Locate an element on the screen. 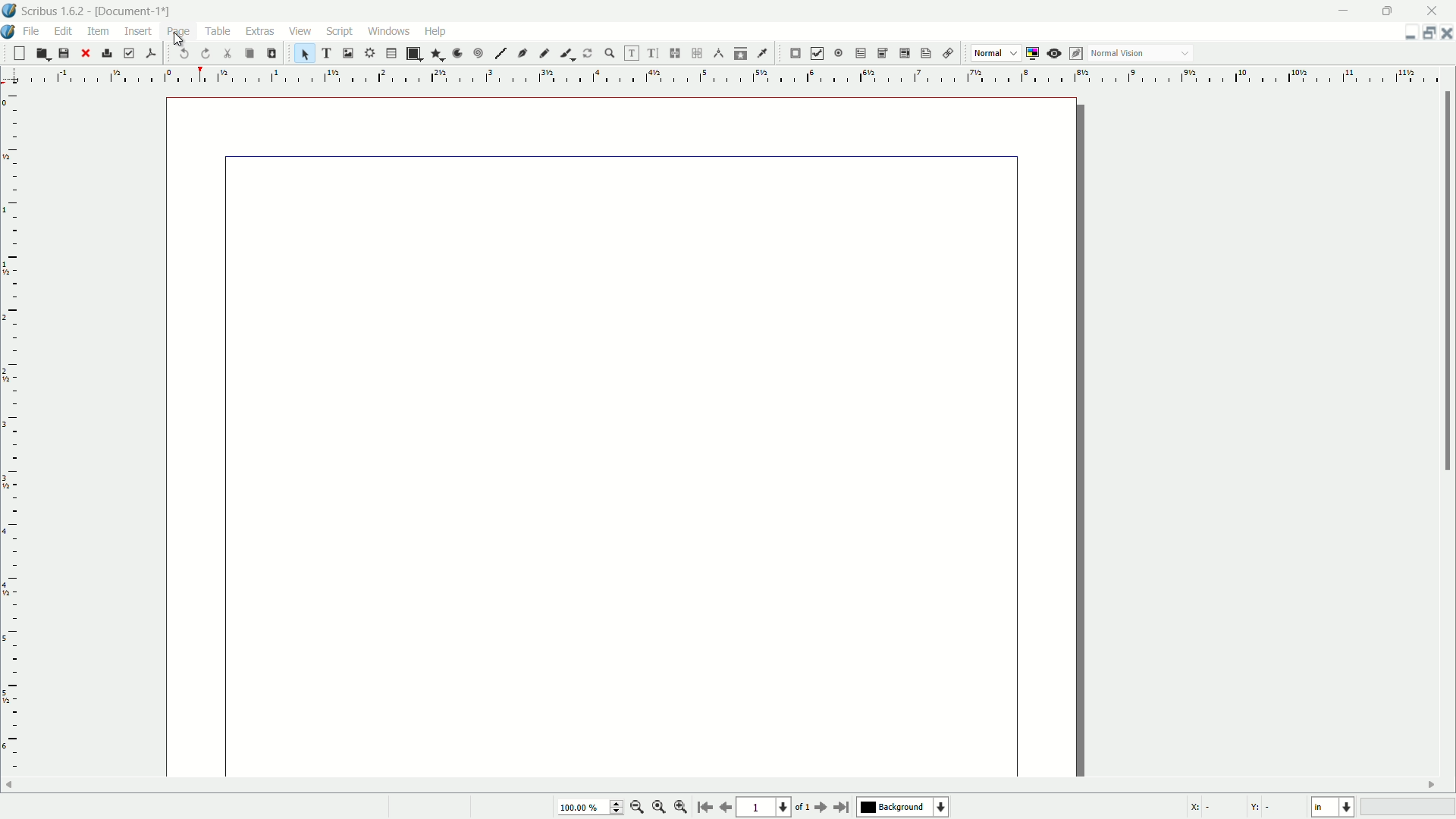 The image size is (1456, 819). spiral is located at coordinates (479, 54).